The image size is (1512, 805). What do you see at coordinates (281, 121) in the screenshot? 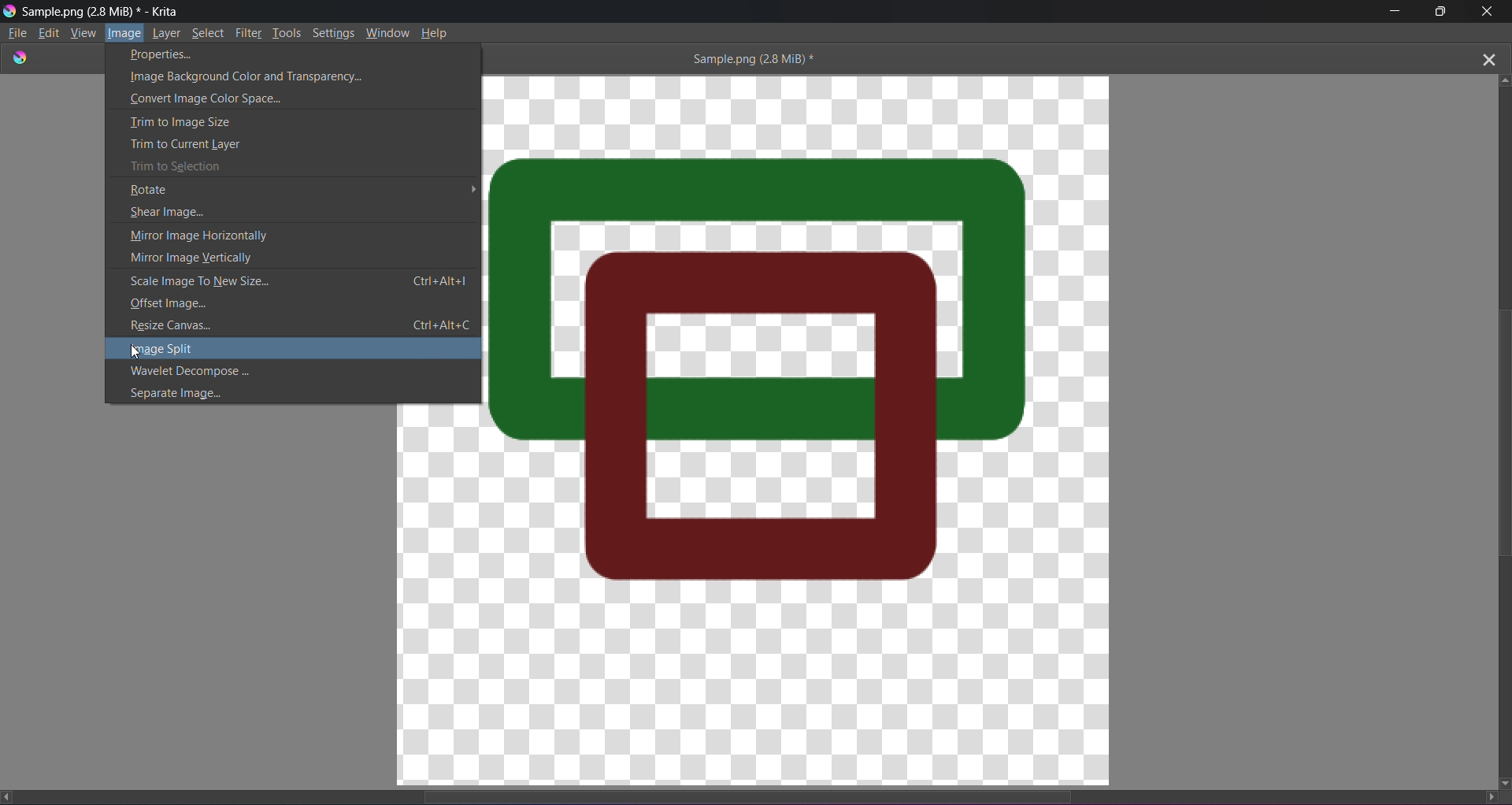
I see `Trim to image size` at bounding box center [281, 121].